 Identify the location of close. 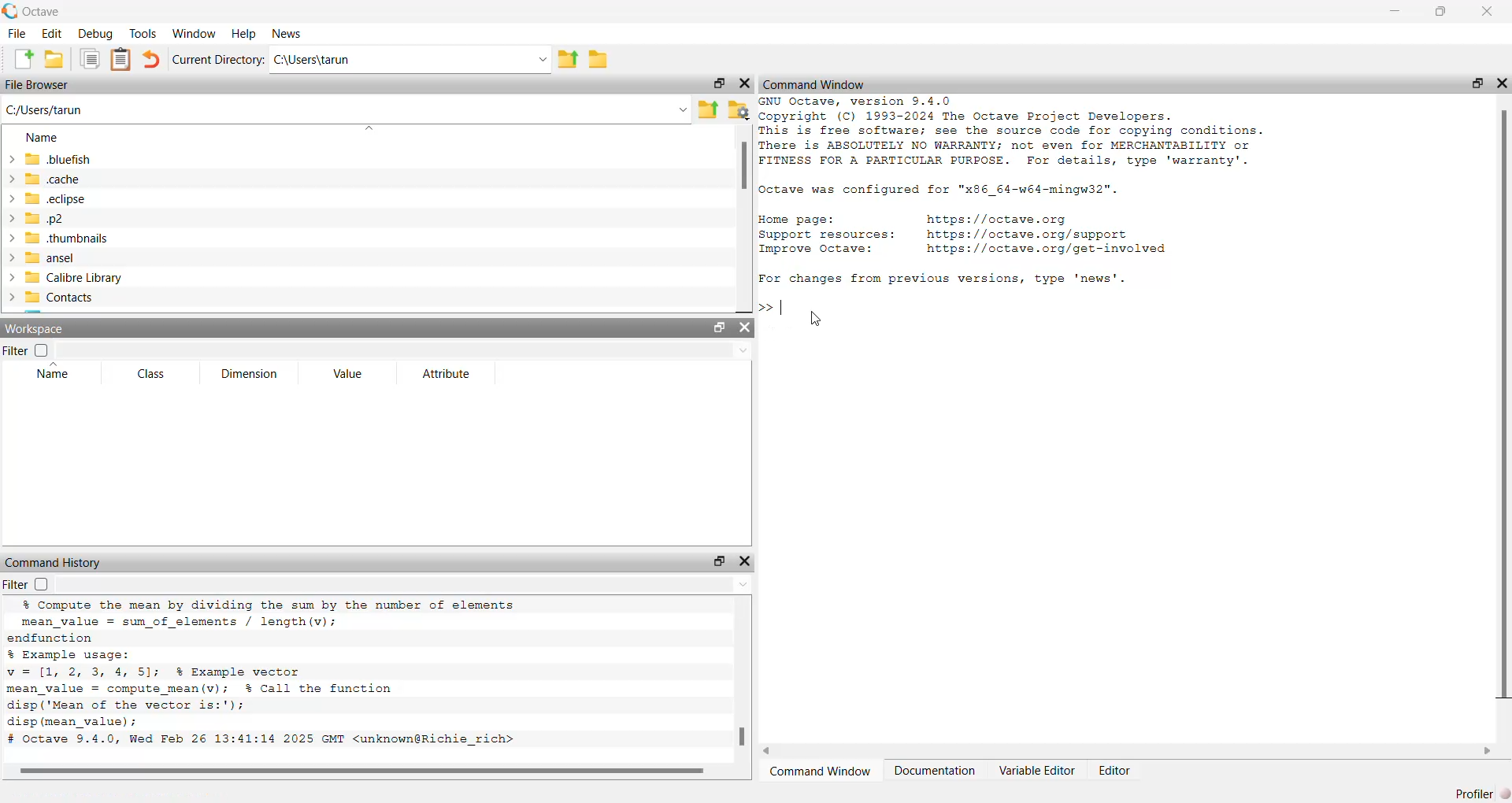
(745, 326).